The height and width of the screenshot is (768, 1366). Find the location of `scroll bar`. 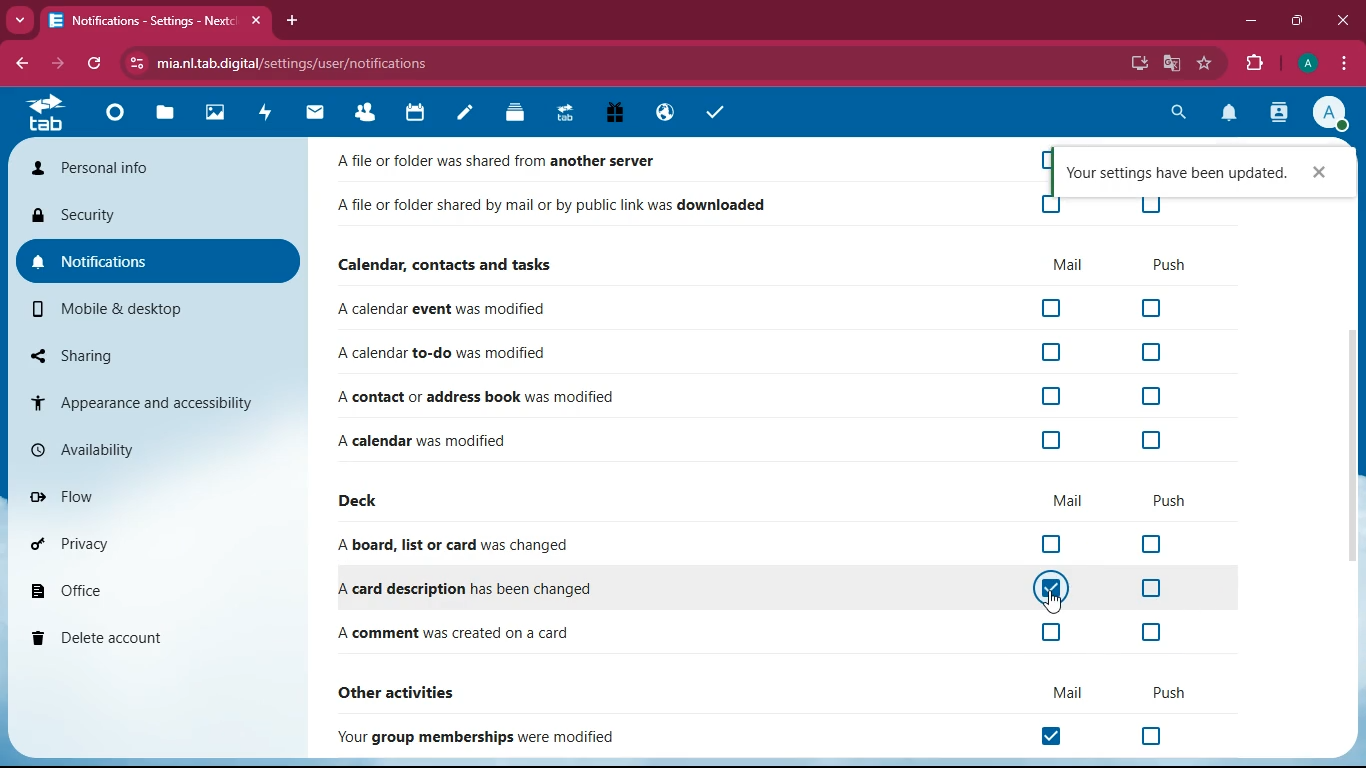

scroll bar is located at coordinates (1352, 450).